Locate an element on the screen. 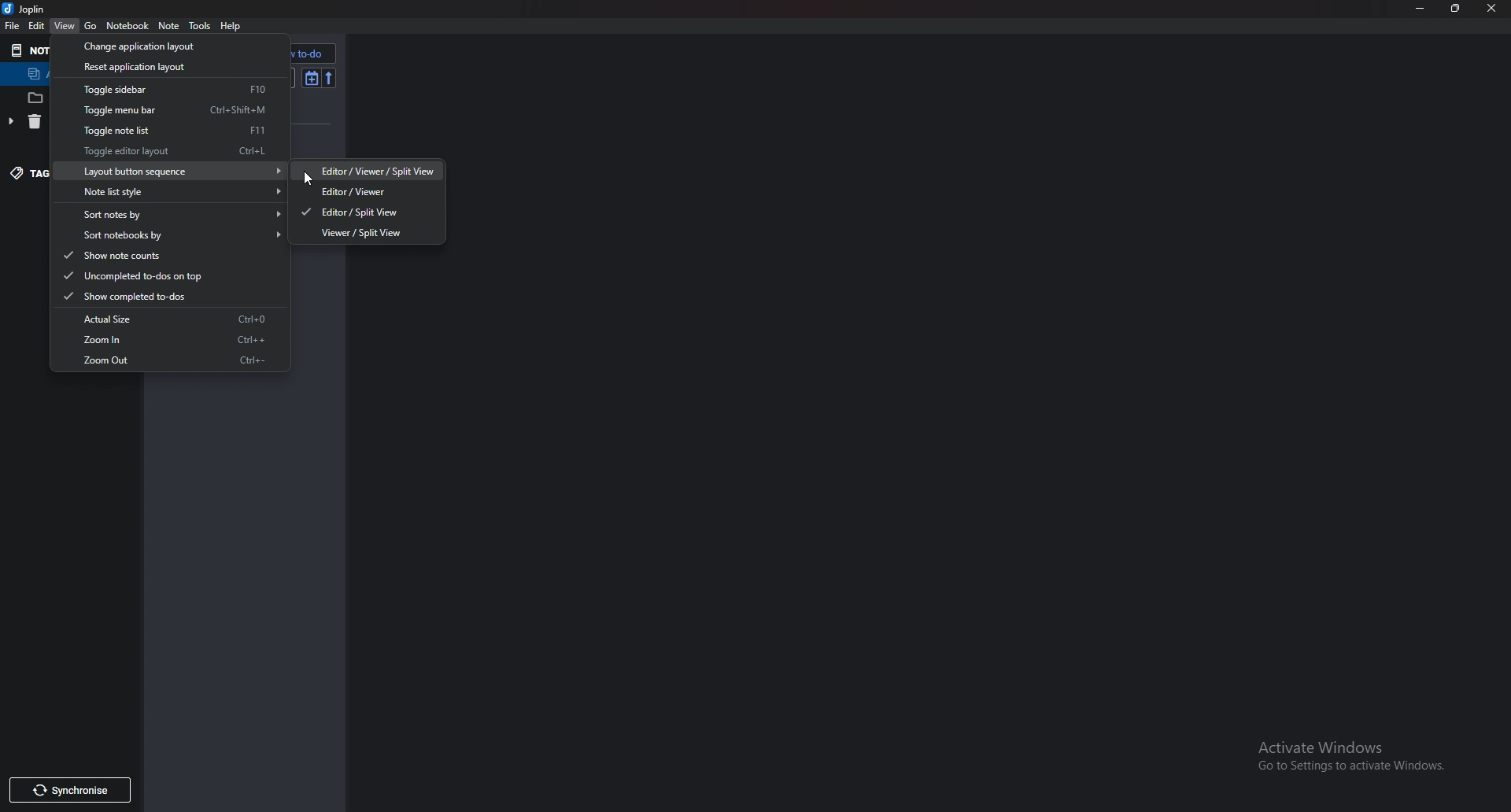 This screenshot has width=1511, height=812. editor/split view is located at coordinates (368, 212).